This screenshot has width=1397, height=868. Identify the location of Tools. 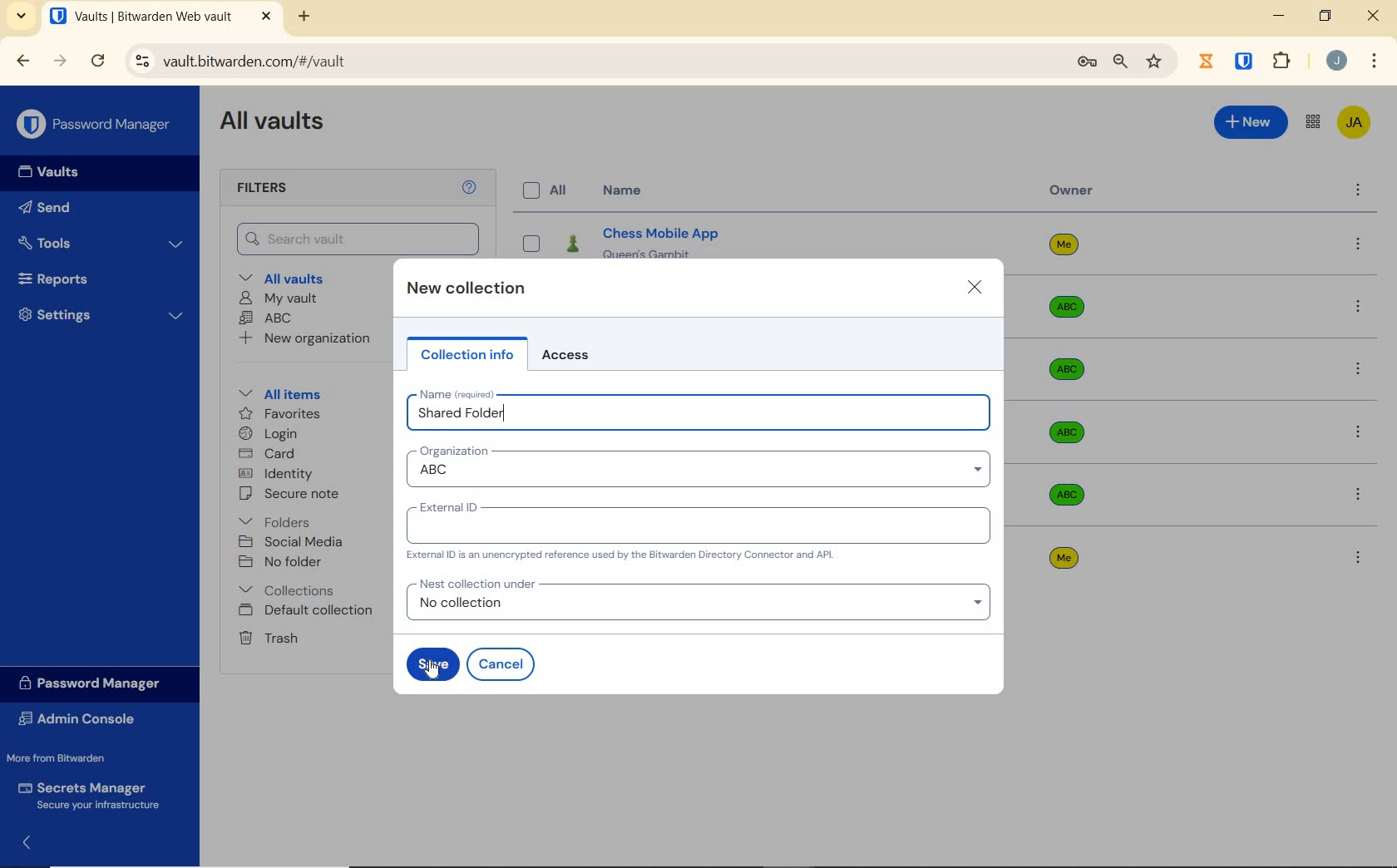
(101, 240).